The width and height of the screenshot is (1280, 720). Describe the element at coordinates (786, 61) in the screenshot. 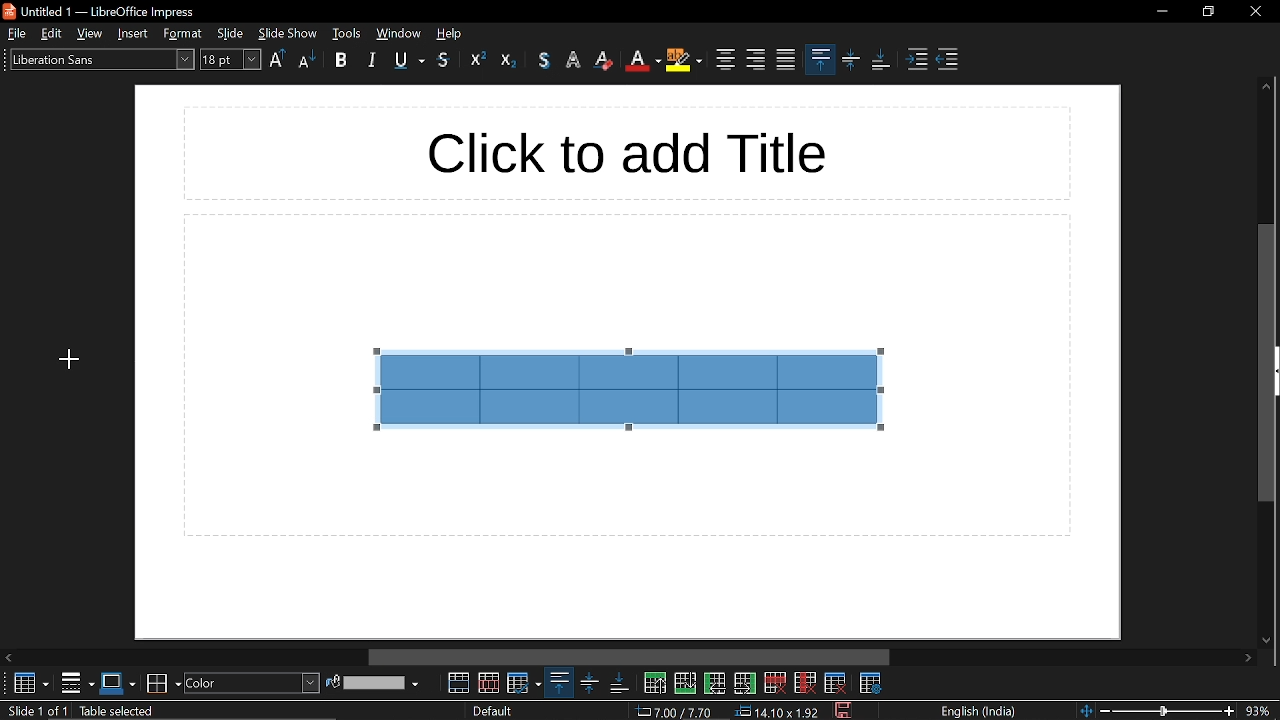

I see `justified` at that location.